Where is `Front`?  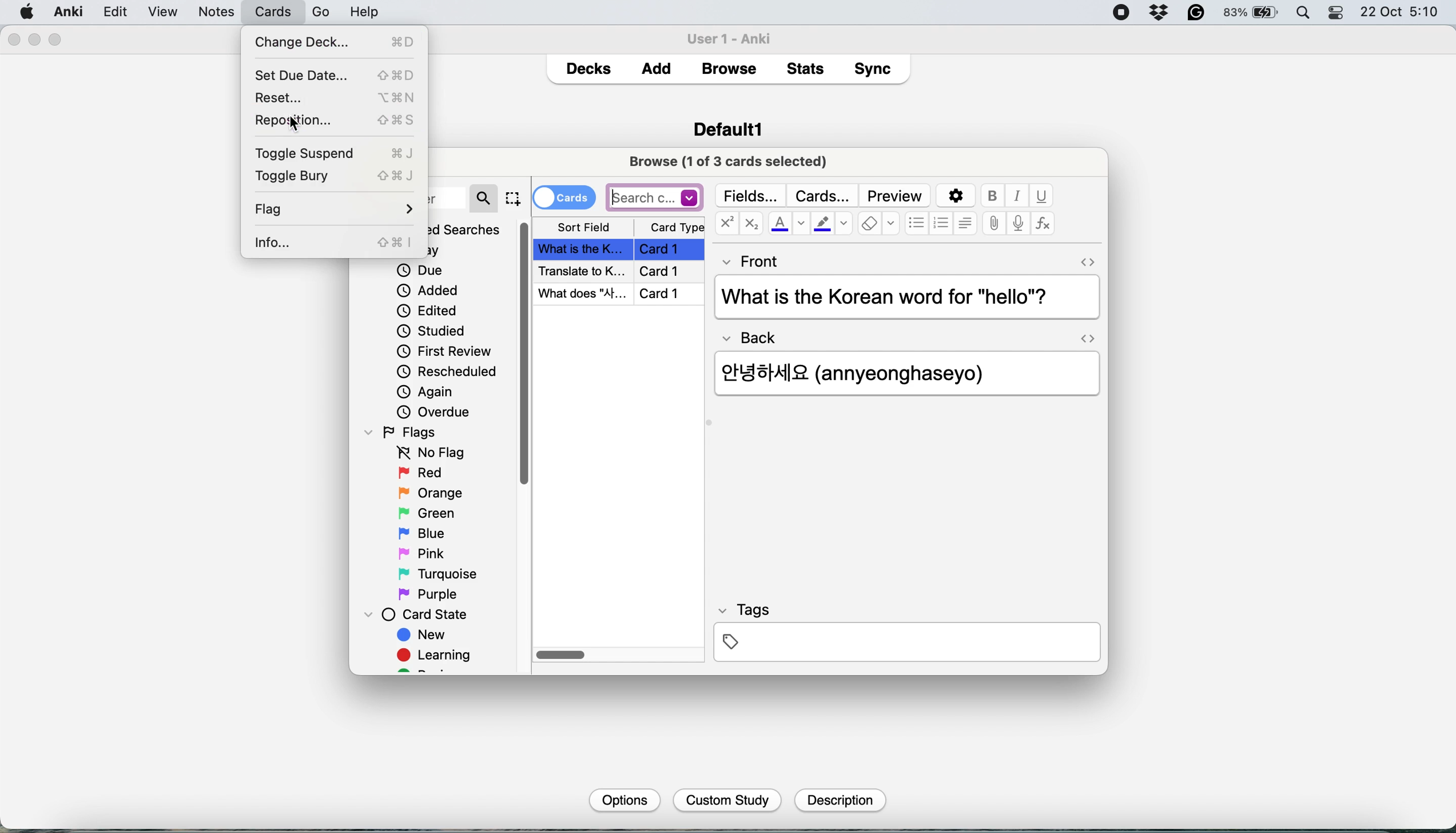 Front is located at coordinates (751, 259).